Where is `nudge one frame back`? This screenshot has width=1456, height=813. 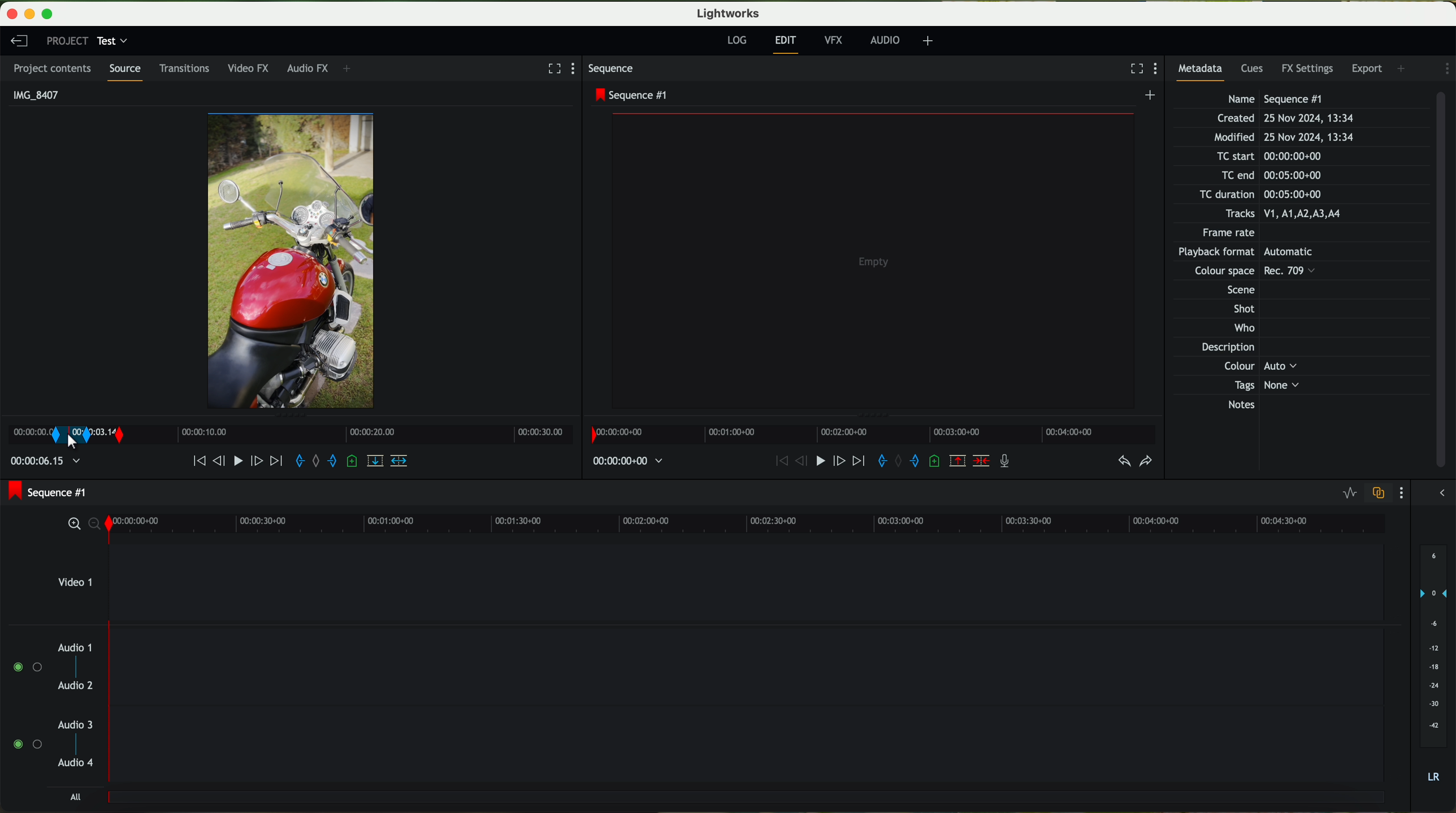 nudge one frame back is located at coordinates (221, 460).